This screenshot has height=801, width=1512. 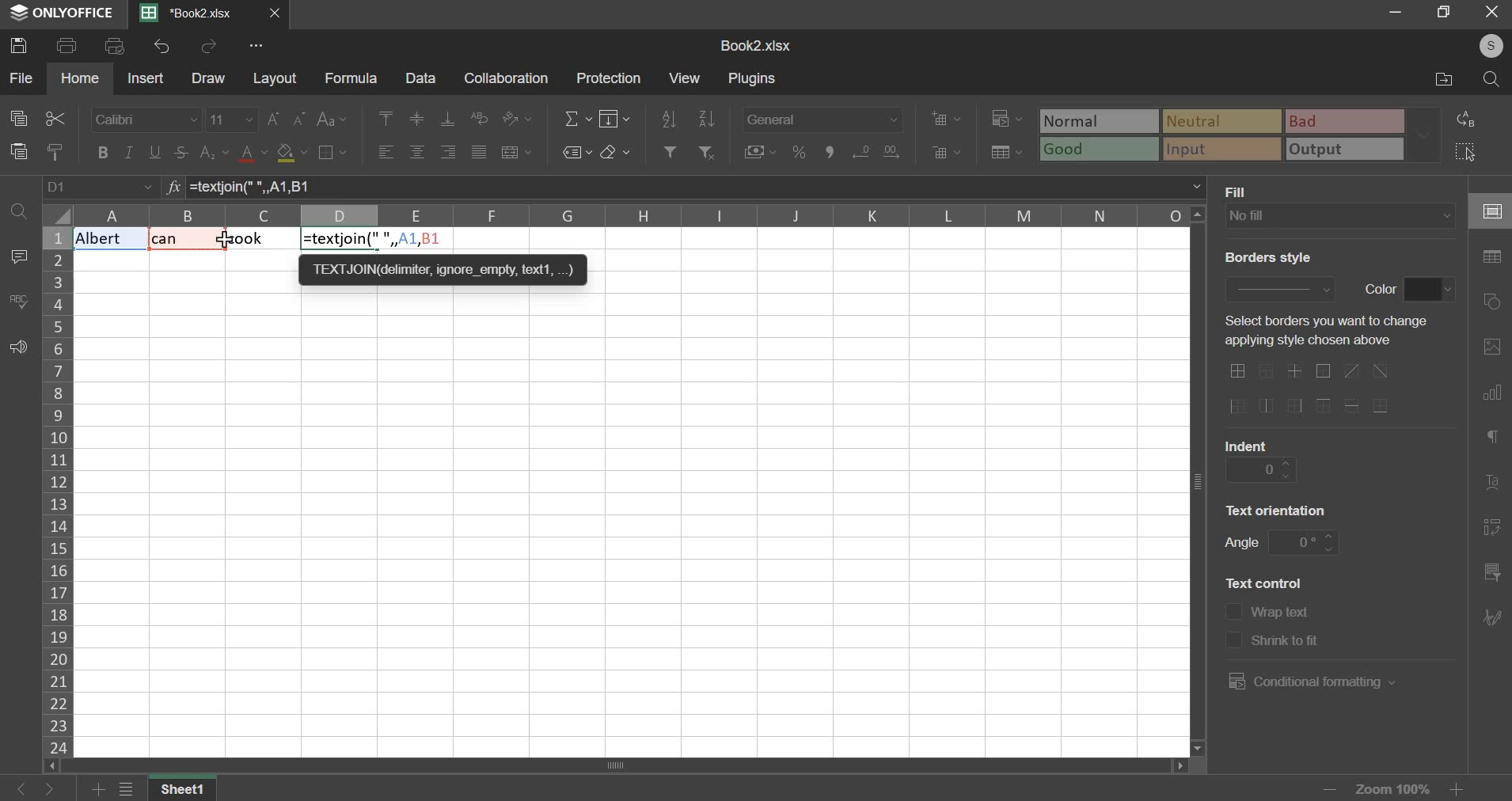 What do you see at coordinates (180, 152) in the screenshot?
I see `strikethrough` at bounding box center [180, 152].